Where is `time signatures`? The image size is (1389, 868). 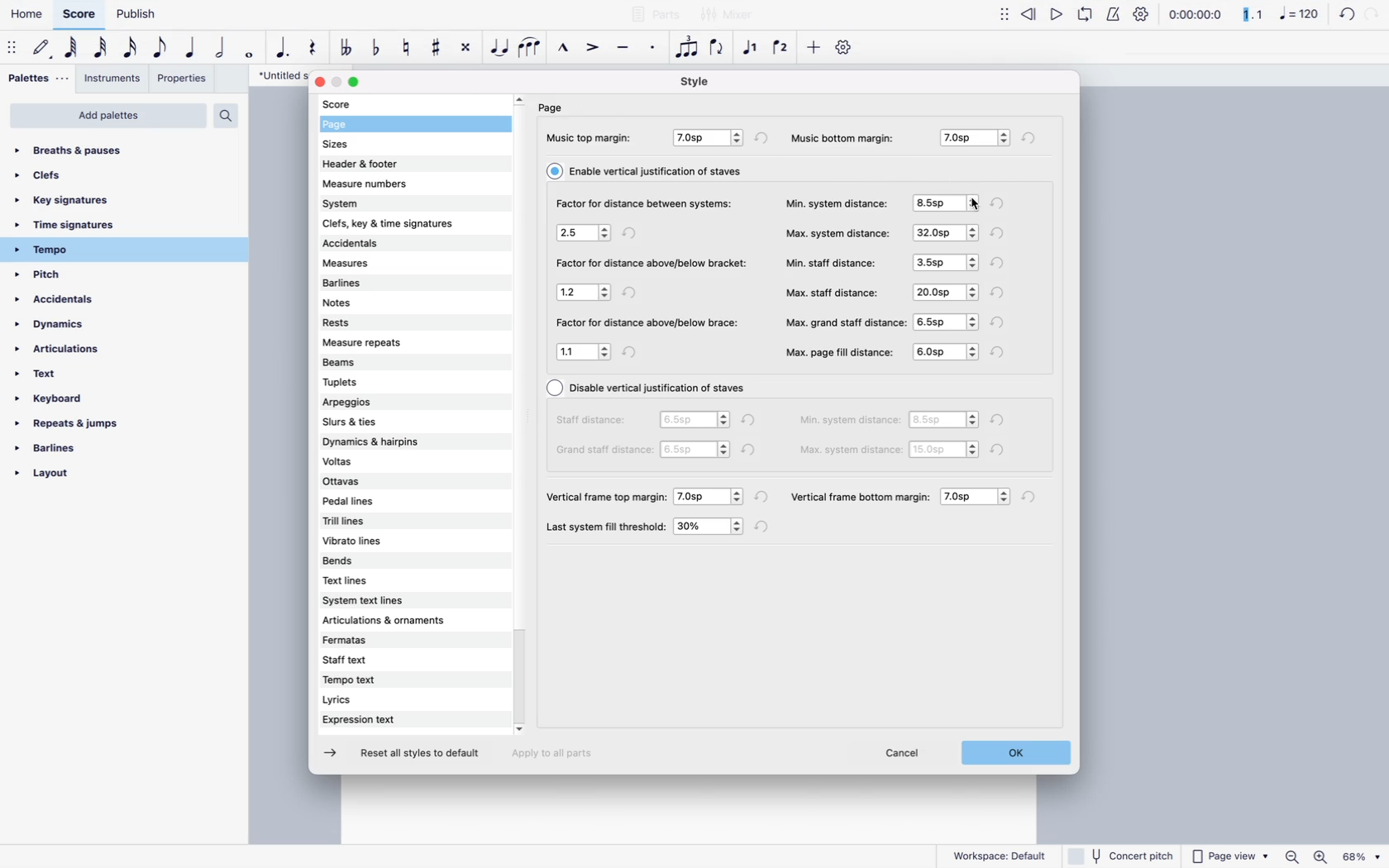
time signatures is located at coordinates (94, 227).